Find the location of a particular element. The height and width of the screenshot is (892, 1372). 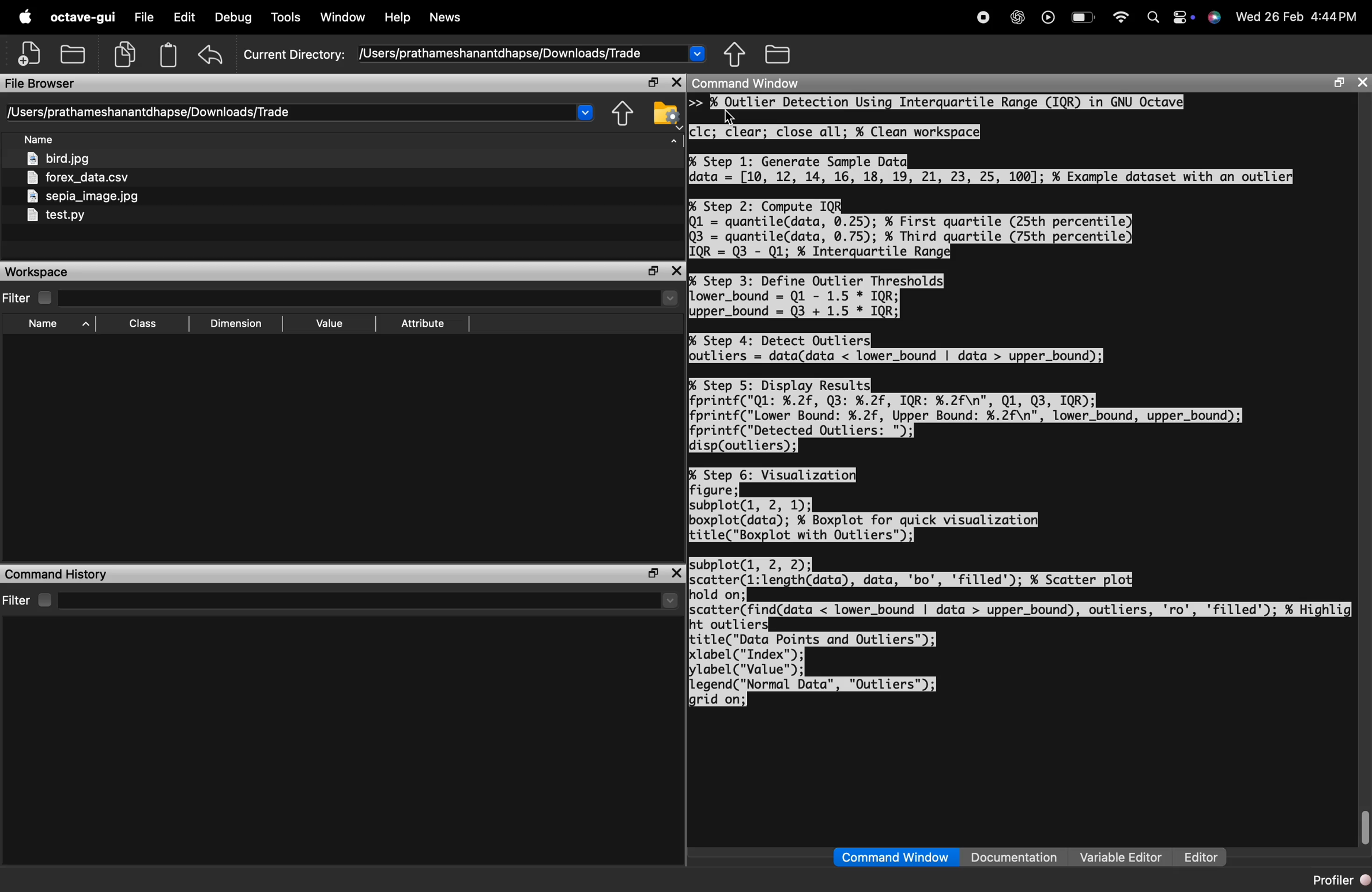

apple is located at coordinates (26, 16).